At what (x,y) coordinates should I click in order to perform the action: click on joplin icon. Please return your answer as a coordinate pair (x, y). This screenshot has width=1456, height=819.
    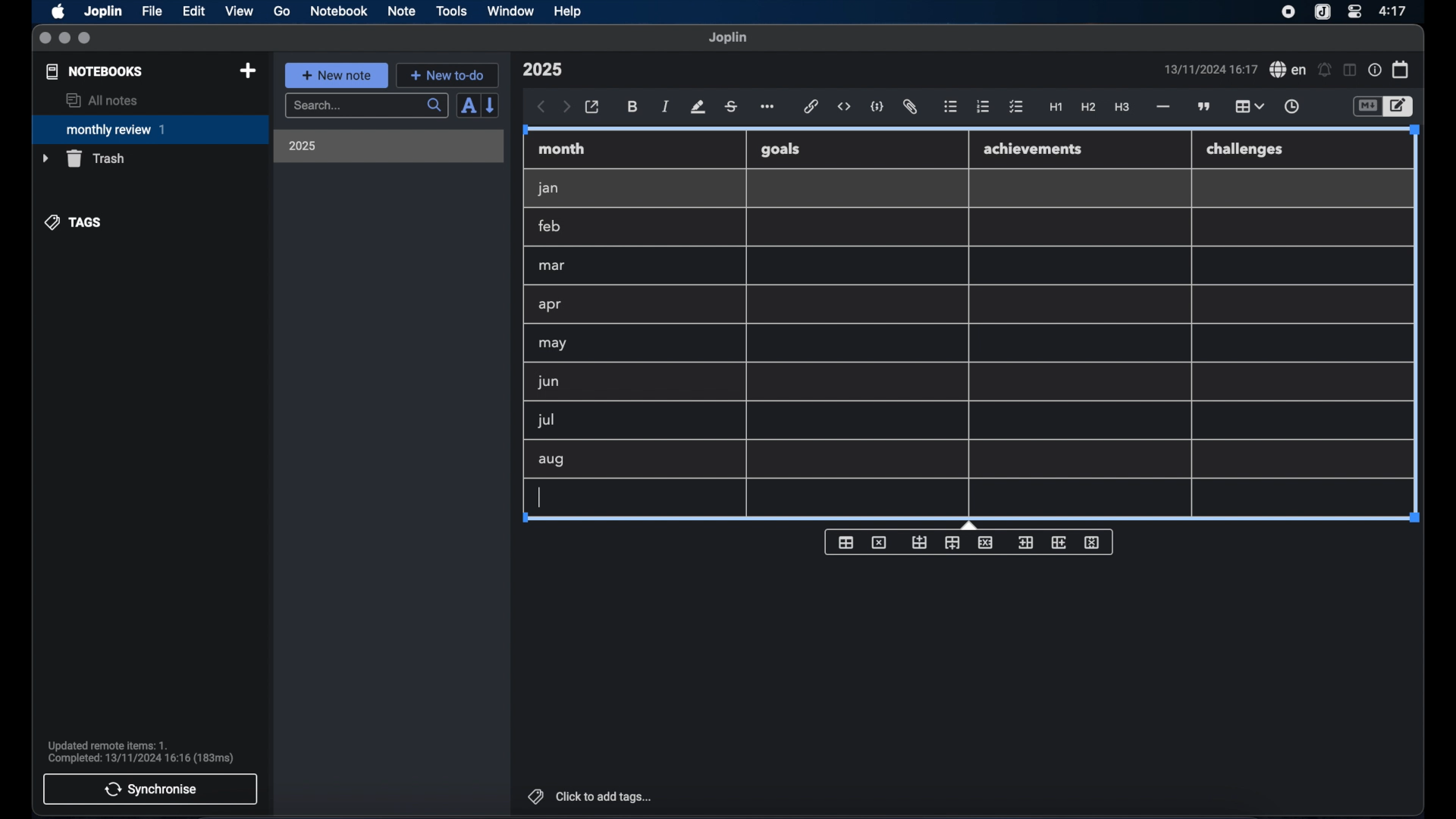
    Looking at the image, I should click on (1321, 13).